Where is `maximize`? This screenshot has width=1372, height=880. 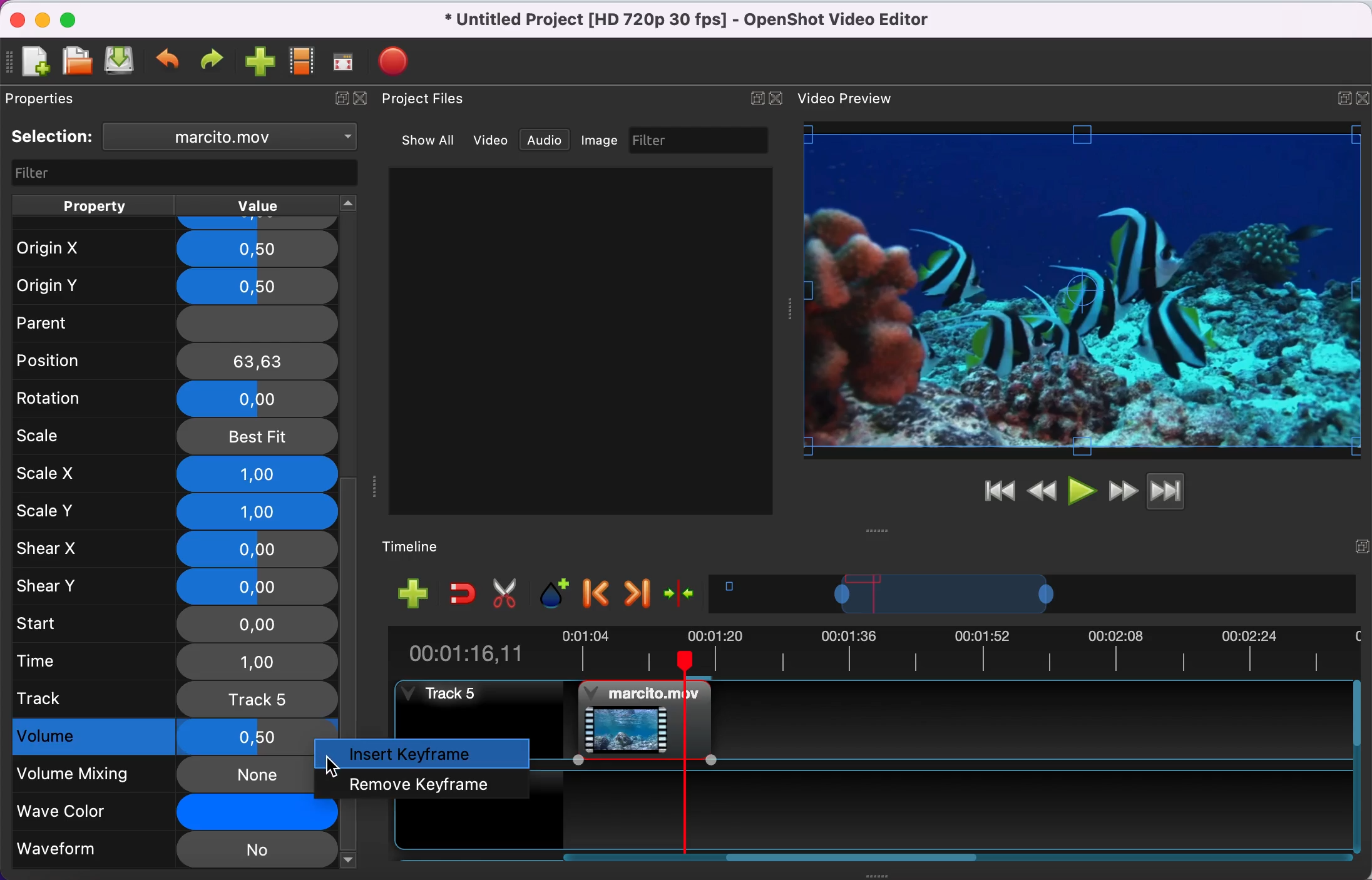 maximize is located at coordinates (76, 18).